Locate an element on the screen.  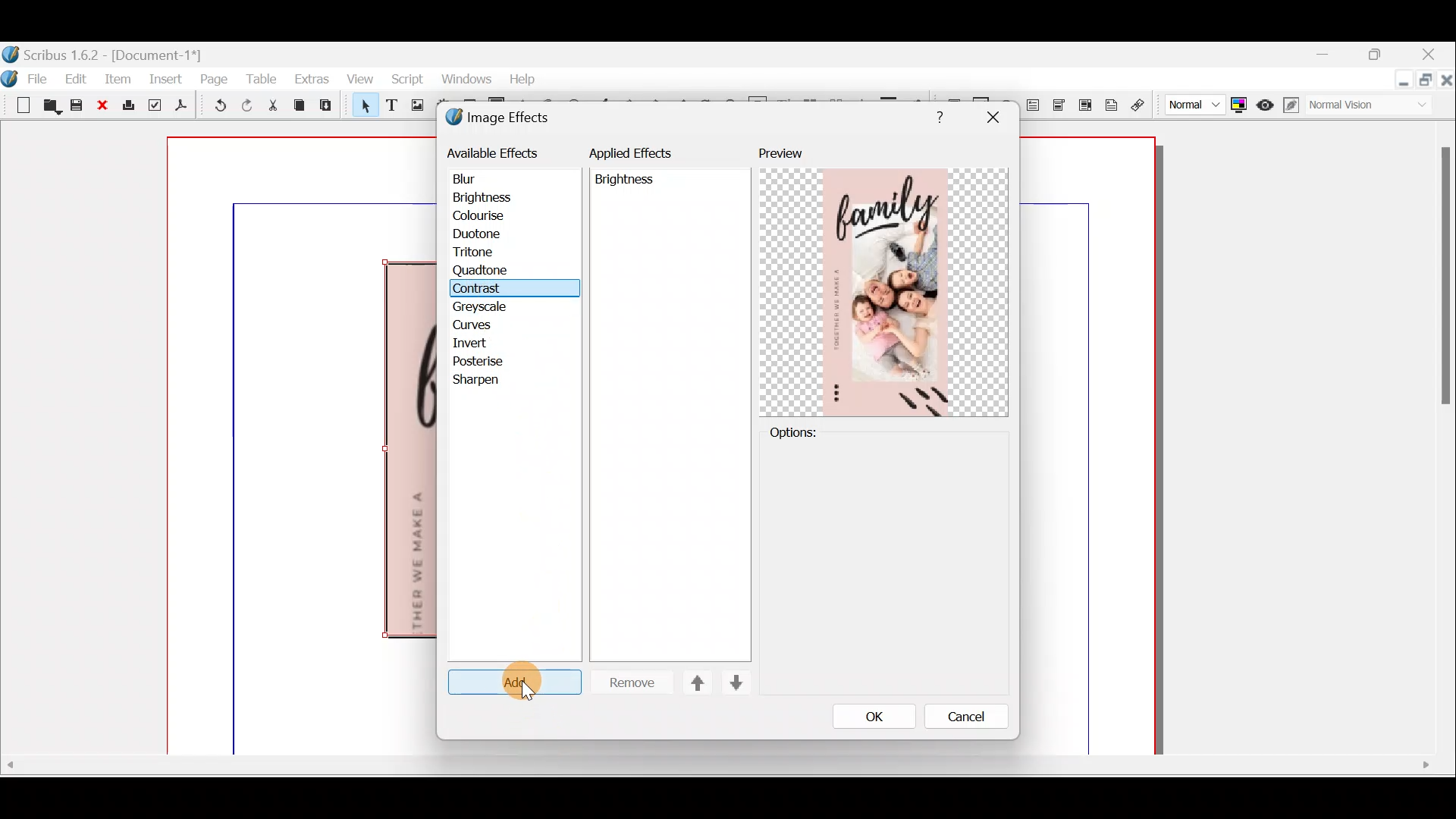
OK is located at coordinates (871, 716).